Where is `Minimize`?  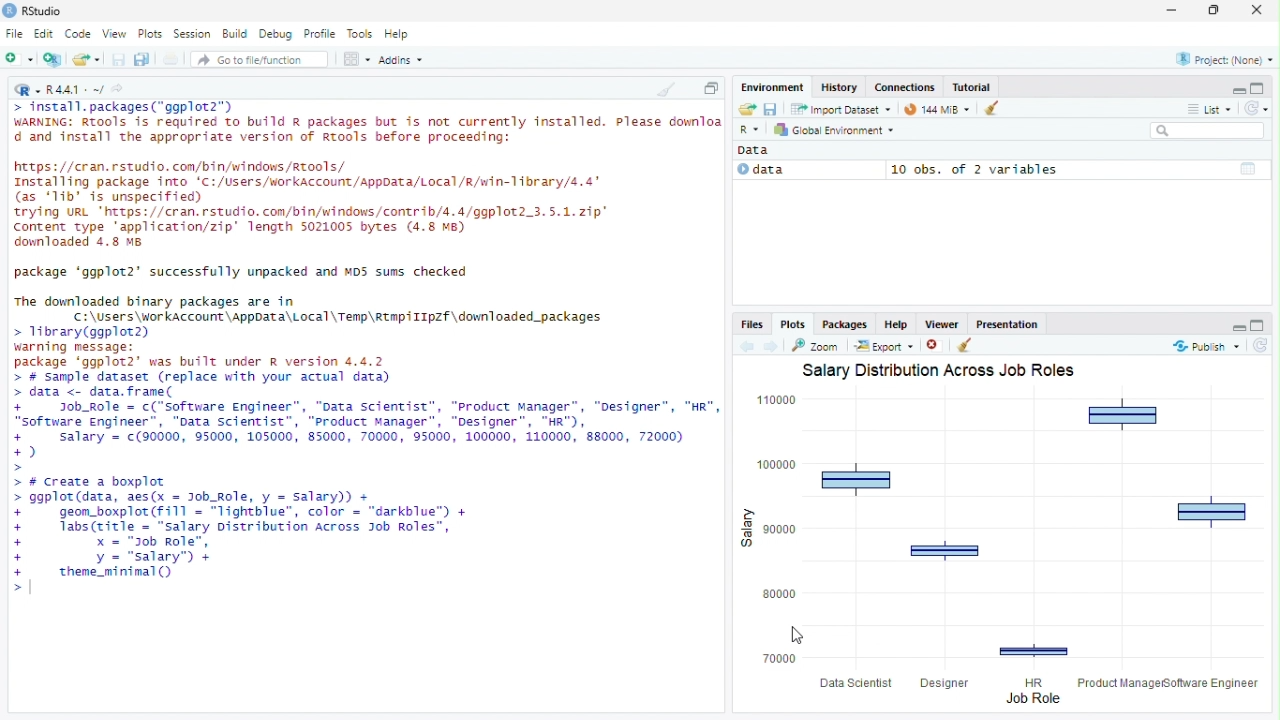 Minimize is located at coordinates (1170, 11).